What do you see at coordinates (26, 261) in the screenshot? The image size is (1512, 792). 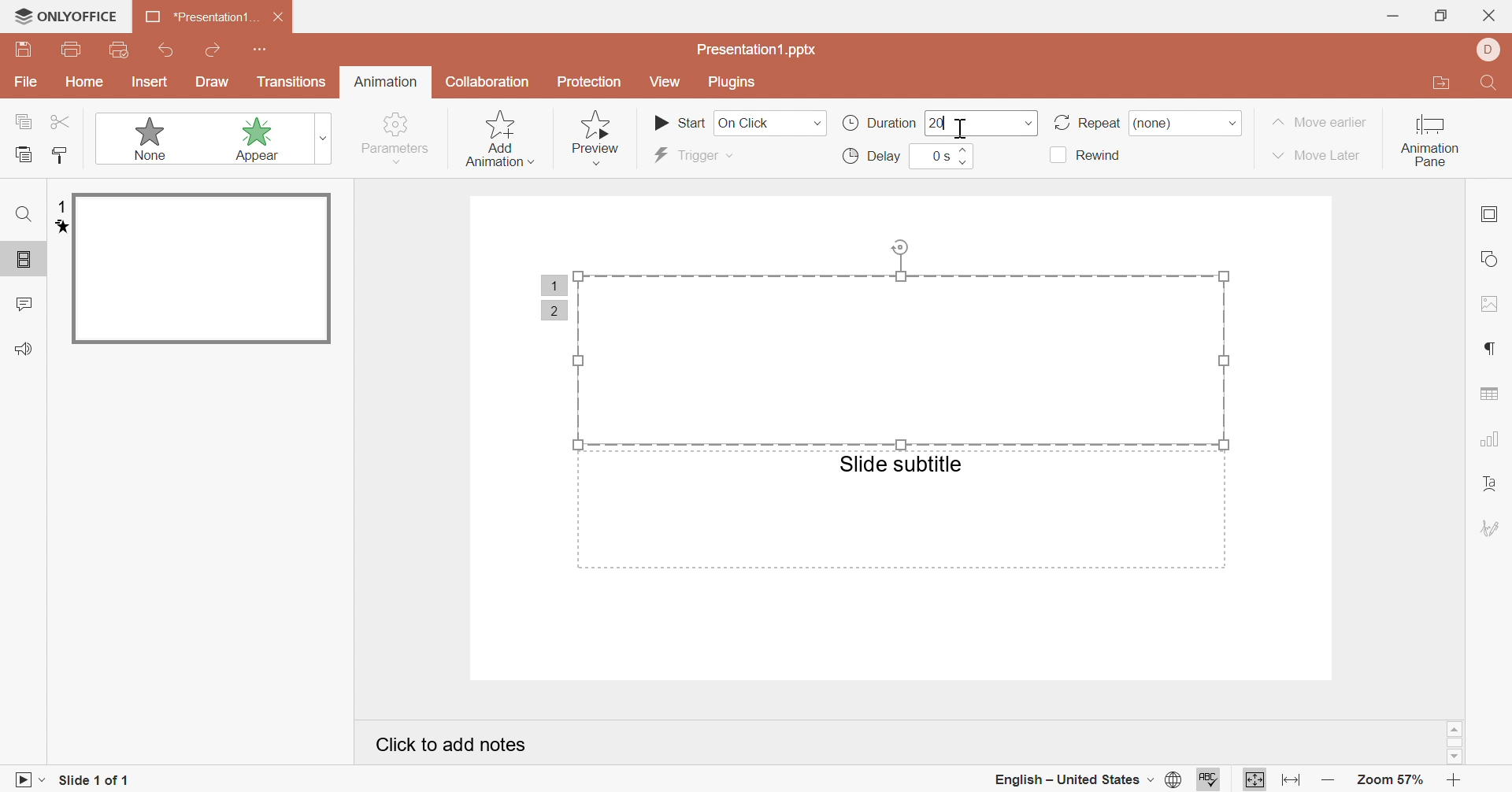 I see `slide` at bounding box center [26, 261].